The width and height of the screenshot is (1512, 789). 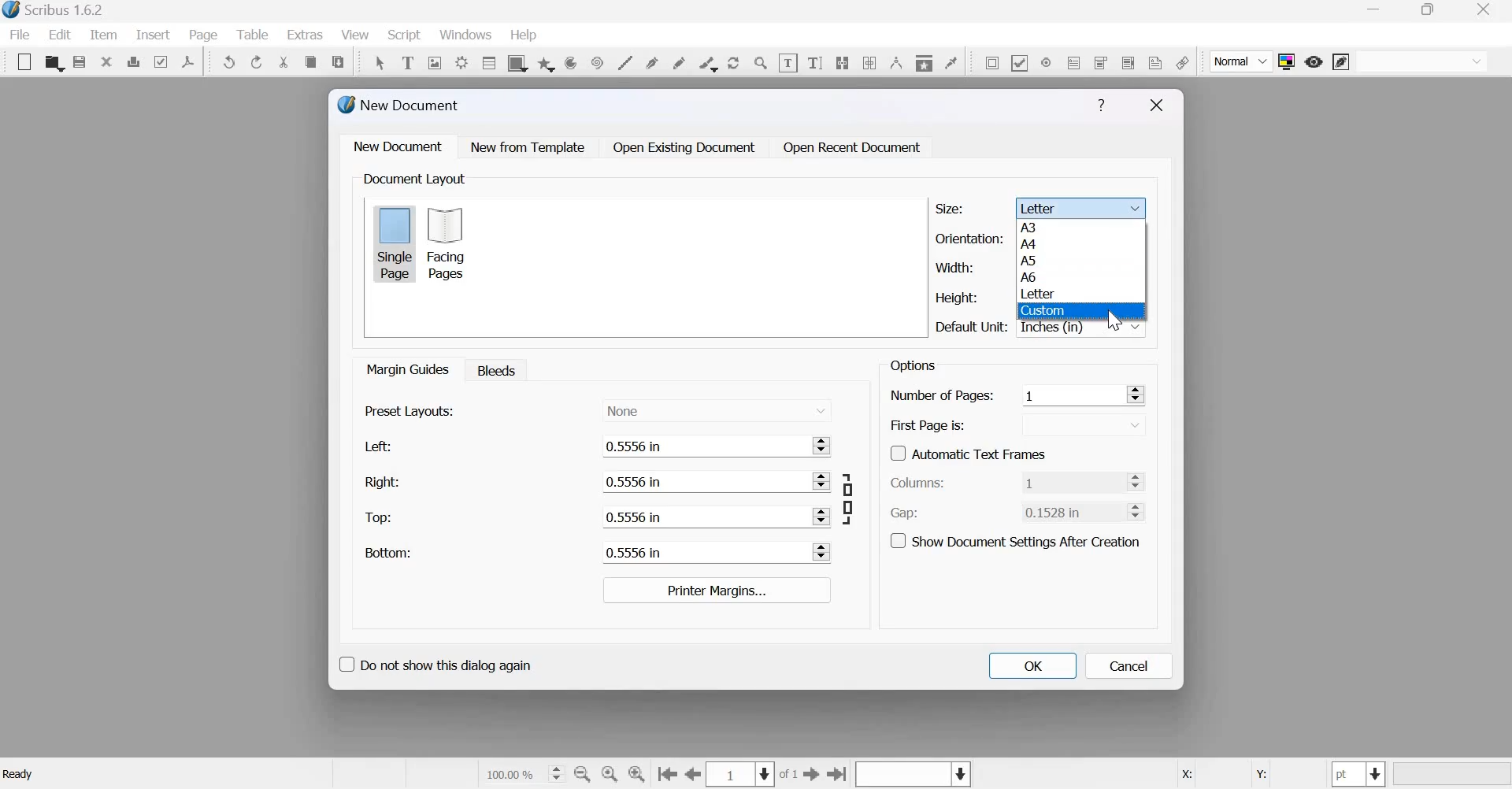 What do you see at coordinates (398, 146) in the screenshot?
I see `New document` at bounding box center [398, 146].